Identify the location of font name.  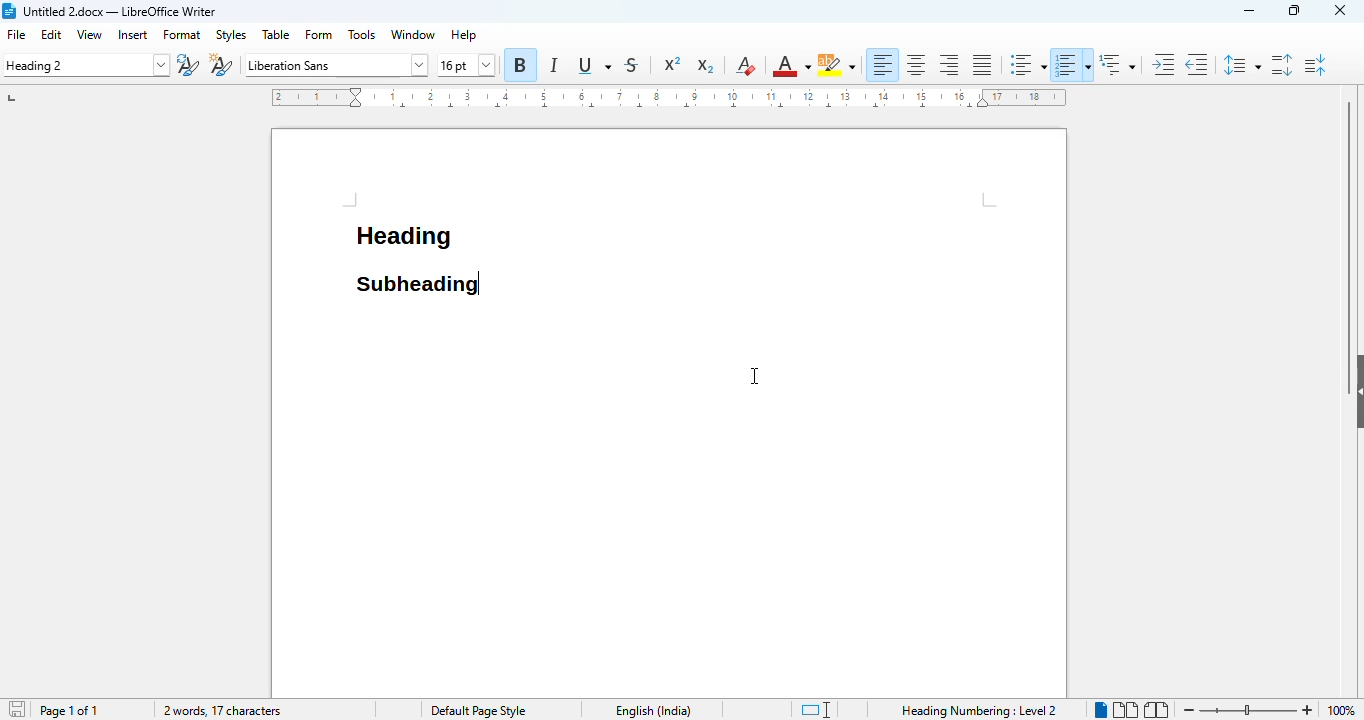
(334, 64).